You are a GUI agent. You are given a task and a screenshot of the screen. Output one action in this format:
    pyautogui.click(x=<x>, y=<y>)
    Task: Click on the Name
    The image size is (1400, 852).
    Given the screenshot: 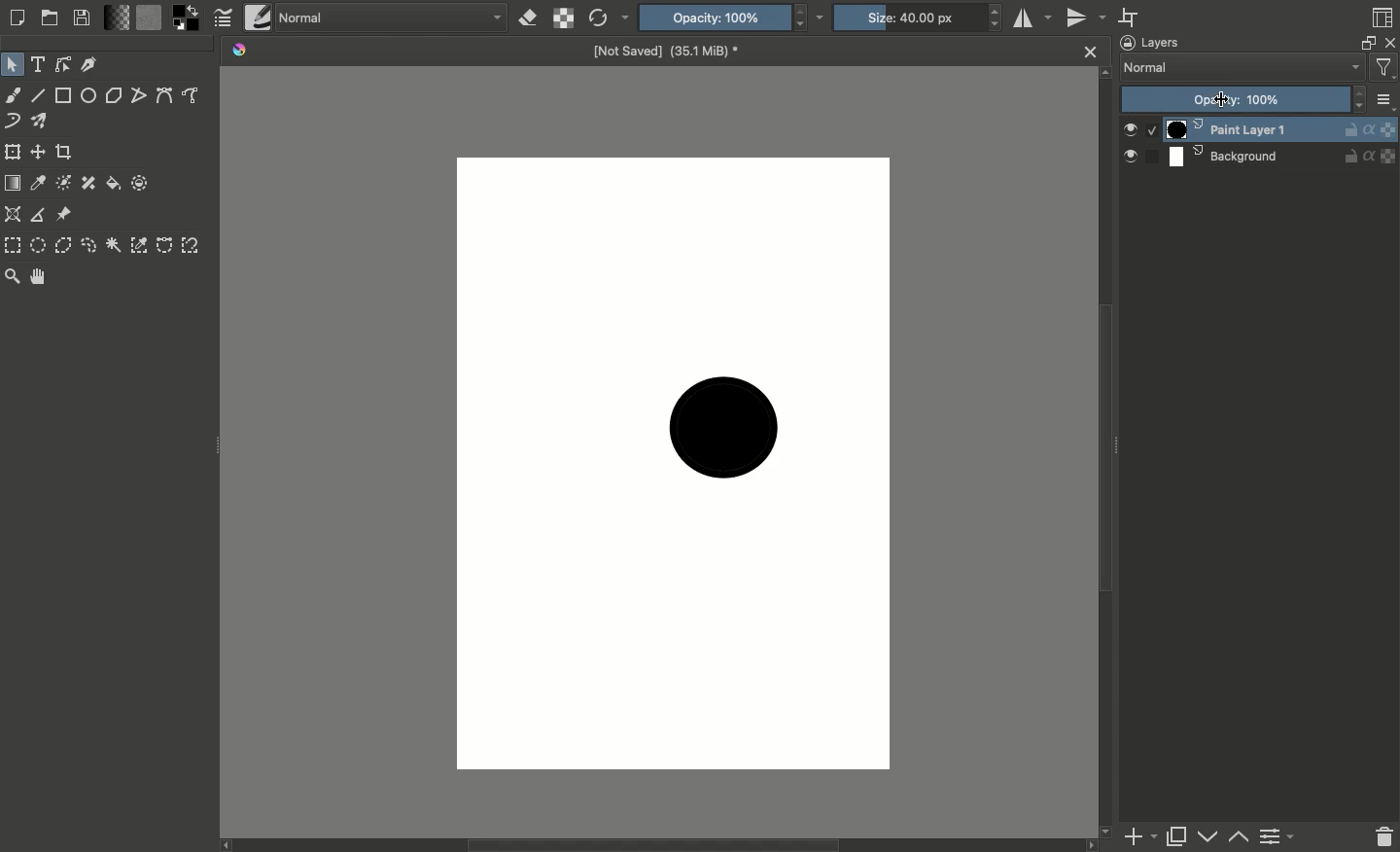 What is the action you would take?
    pyautogui.click(x=662, y=49)
    